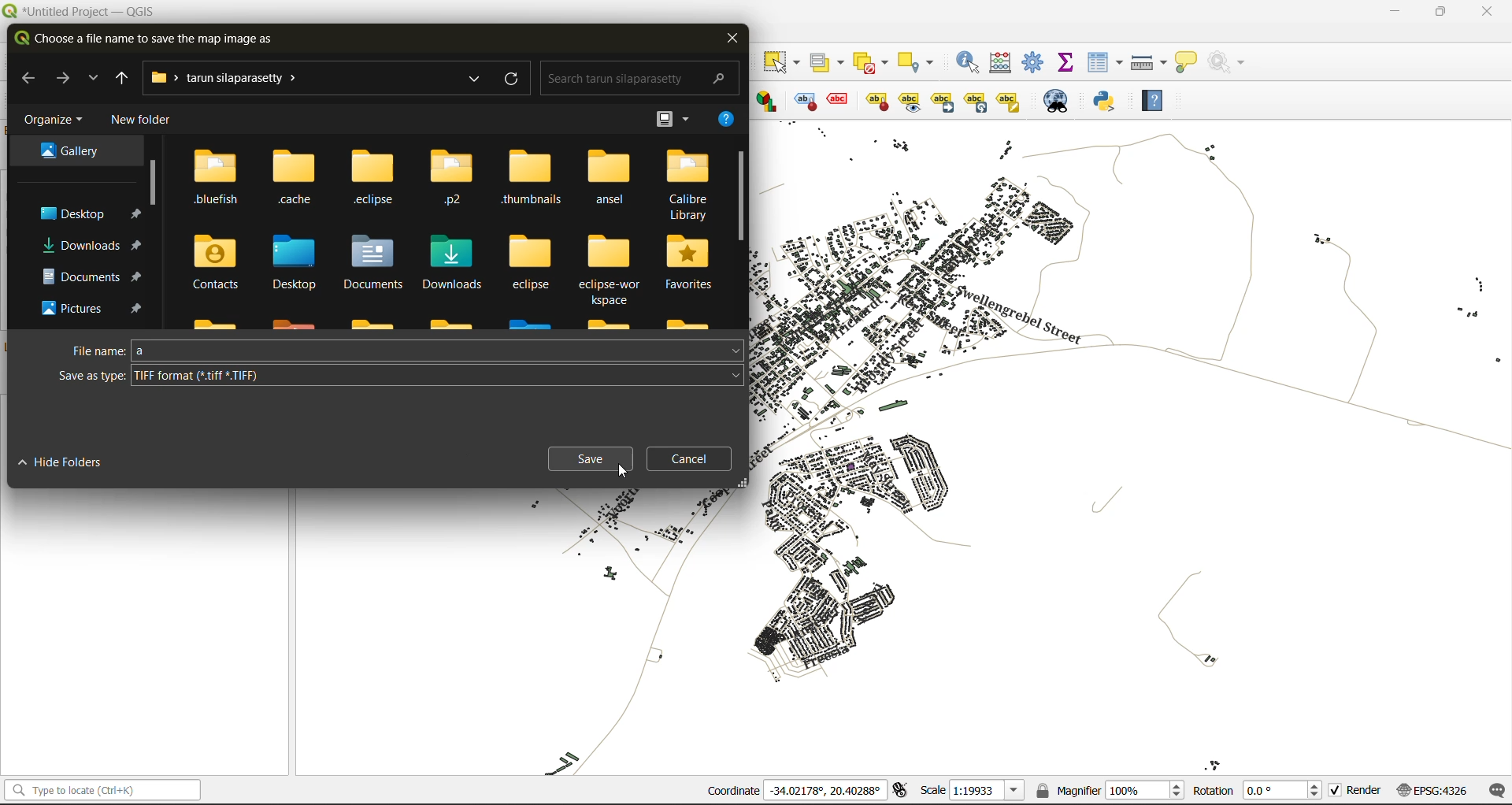  Describe the element at coordinates (921, 61) in the screenshot. I see `select location` at that location.